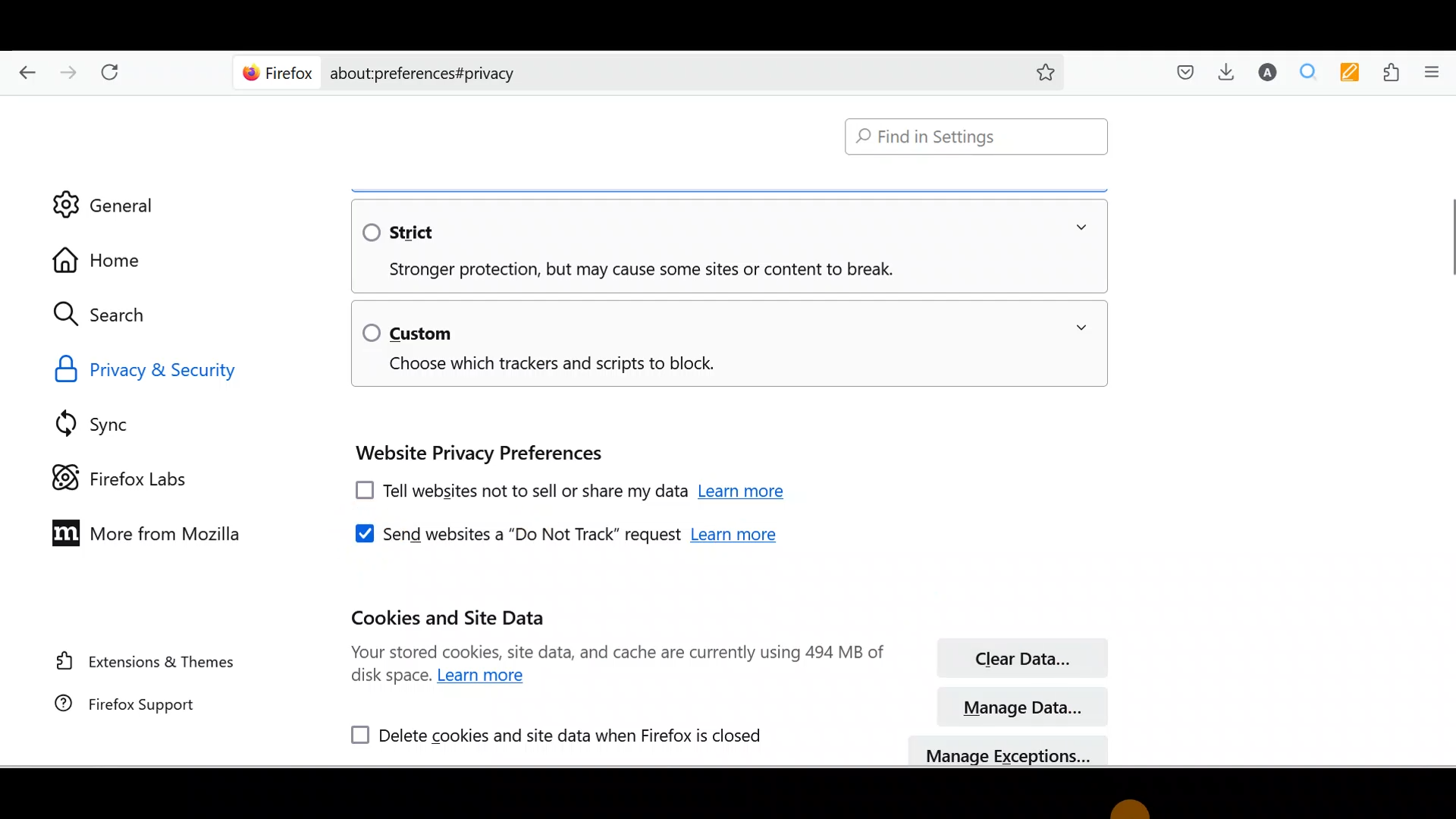 The width and height of the screenshot is (1456, 819). What do you see at coordinates (518, 493) in the screenshot?
I see `Tell websites not to sell or share my data` at bounding box center [518, 493].